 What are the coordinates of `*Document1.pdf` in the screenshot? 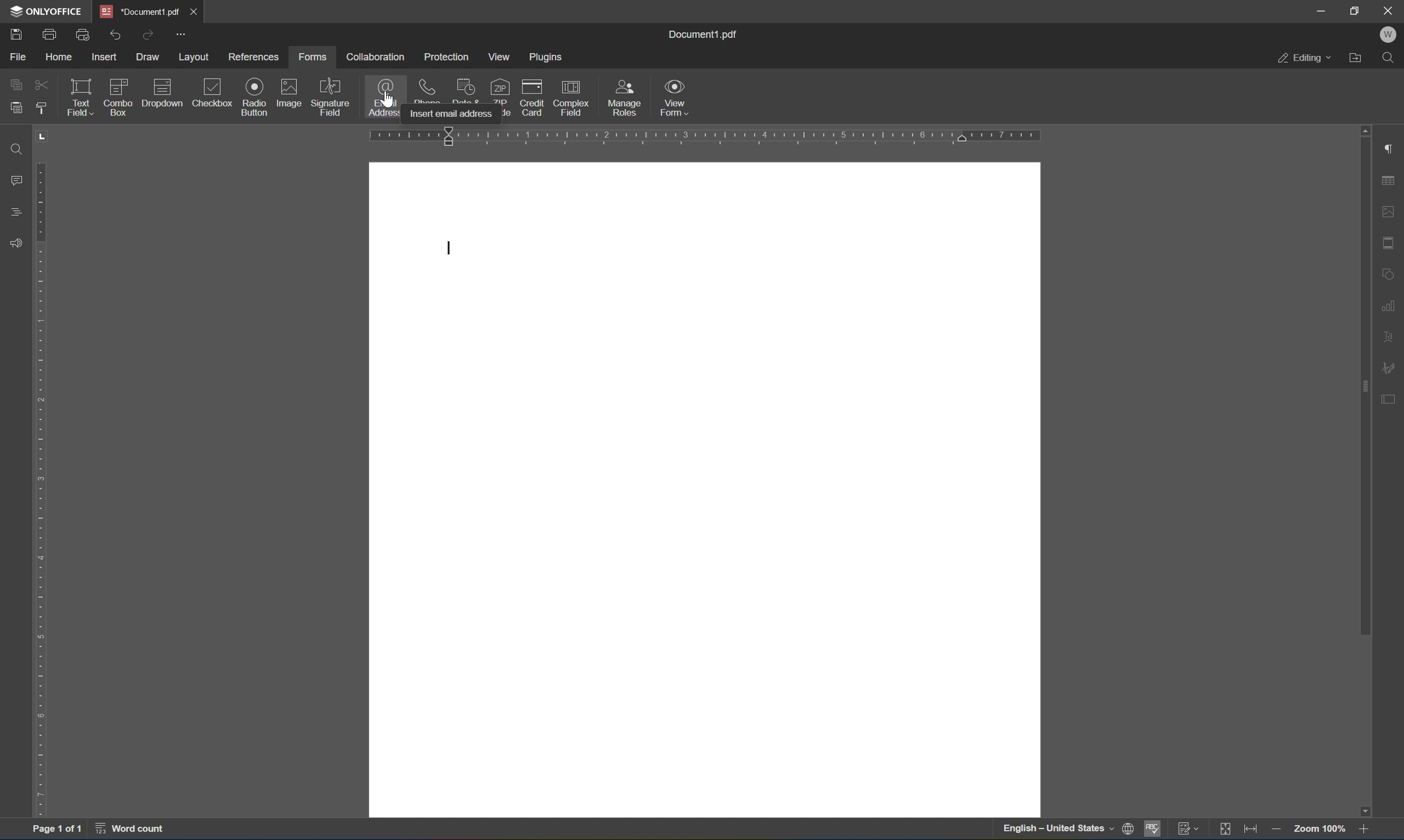 It's located at (138, 11).